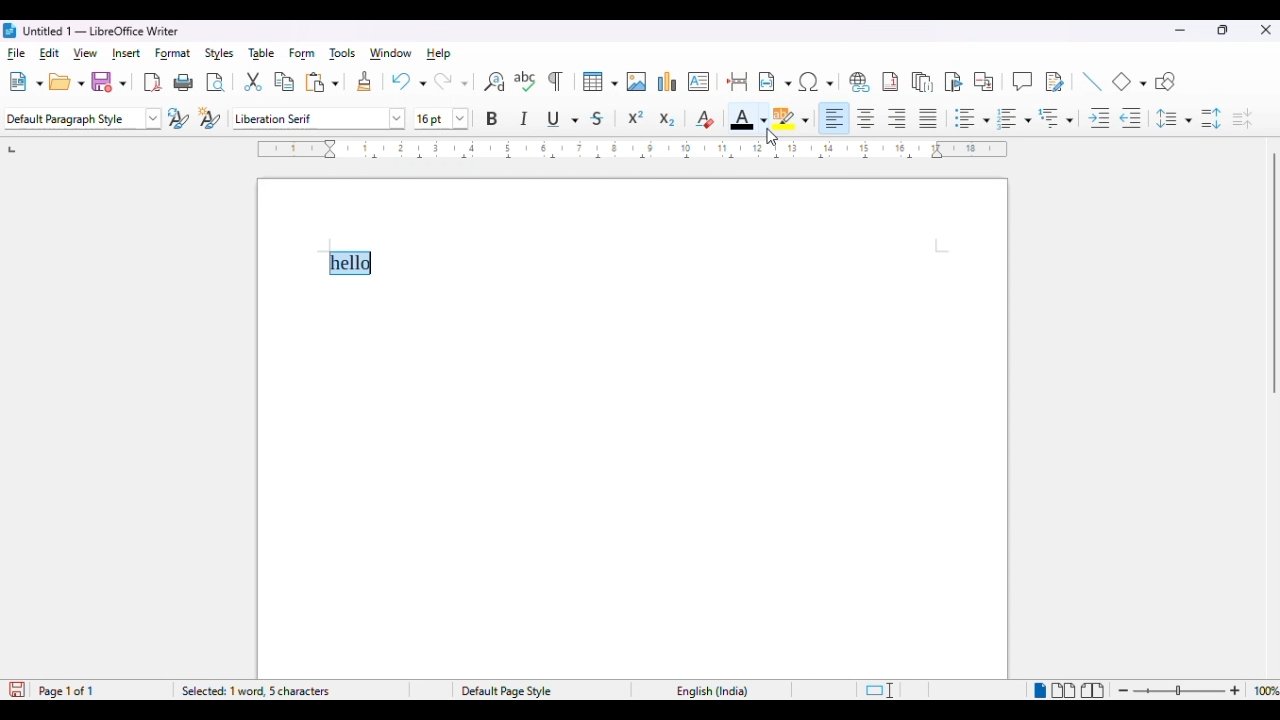 Image resolution: width=1280 pixels, height=720 pixels. What do you see at coordinates (1093, 692) in the screenshot?
I see `book view` at bounding box center [1093, 692].